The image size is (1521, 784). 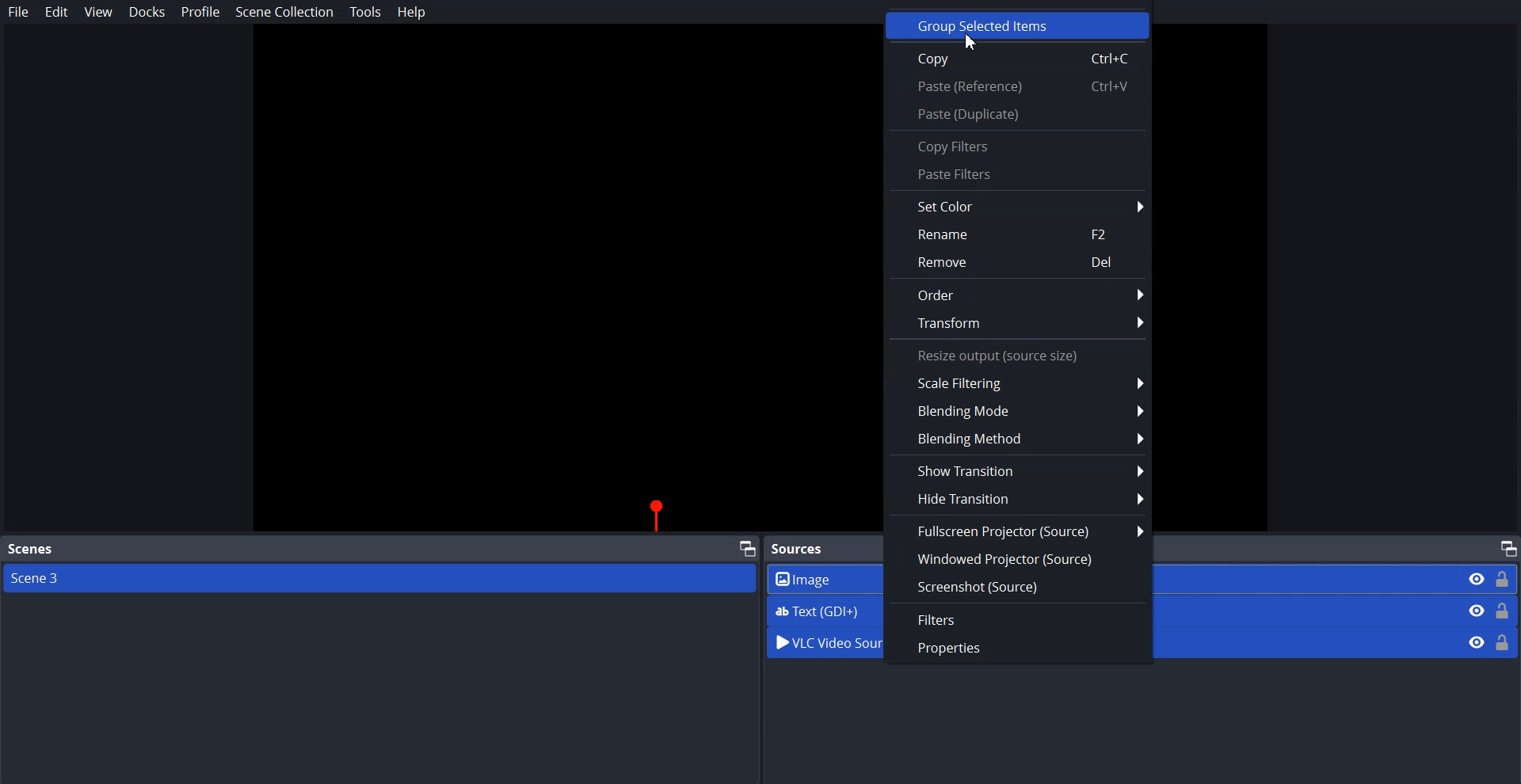 What do you see at coordinates (30, 550) in the screenshot?
I see `Scenes` at bounding box center [30, 550].